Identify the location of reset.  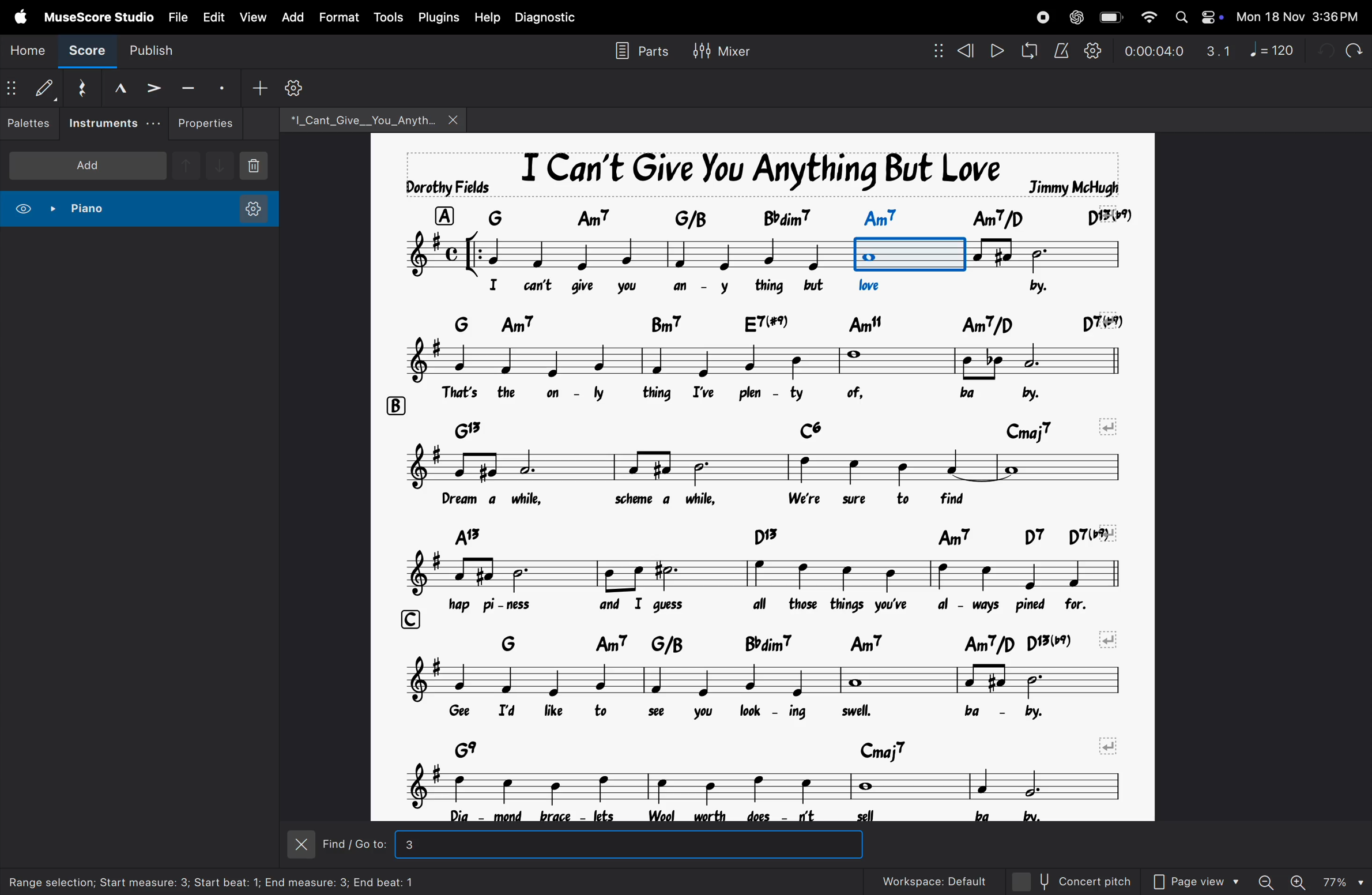
(84, 88).